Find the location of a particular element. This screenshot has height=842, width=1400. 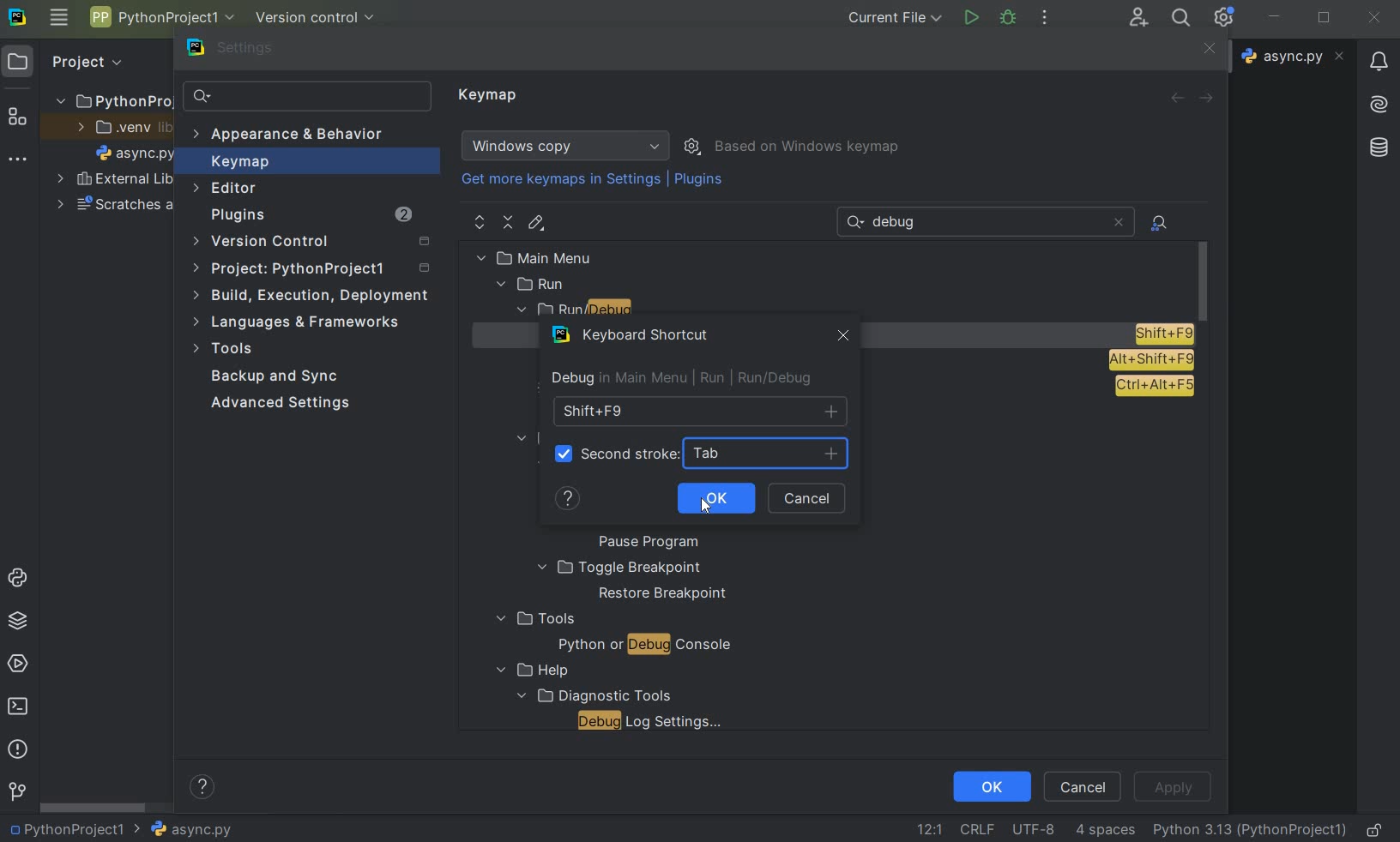

keymap is located at coordinates (490, 96).